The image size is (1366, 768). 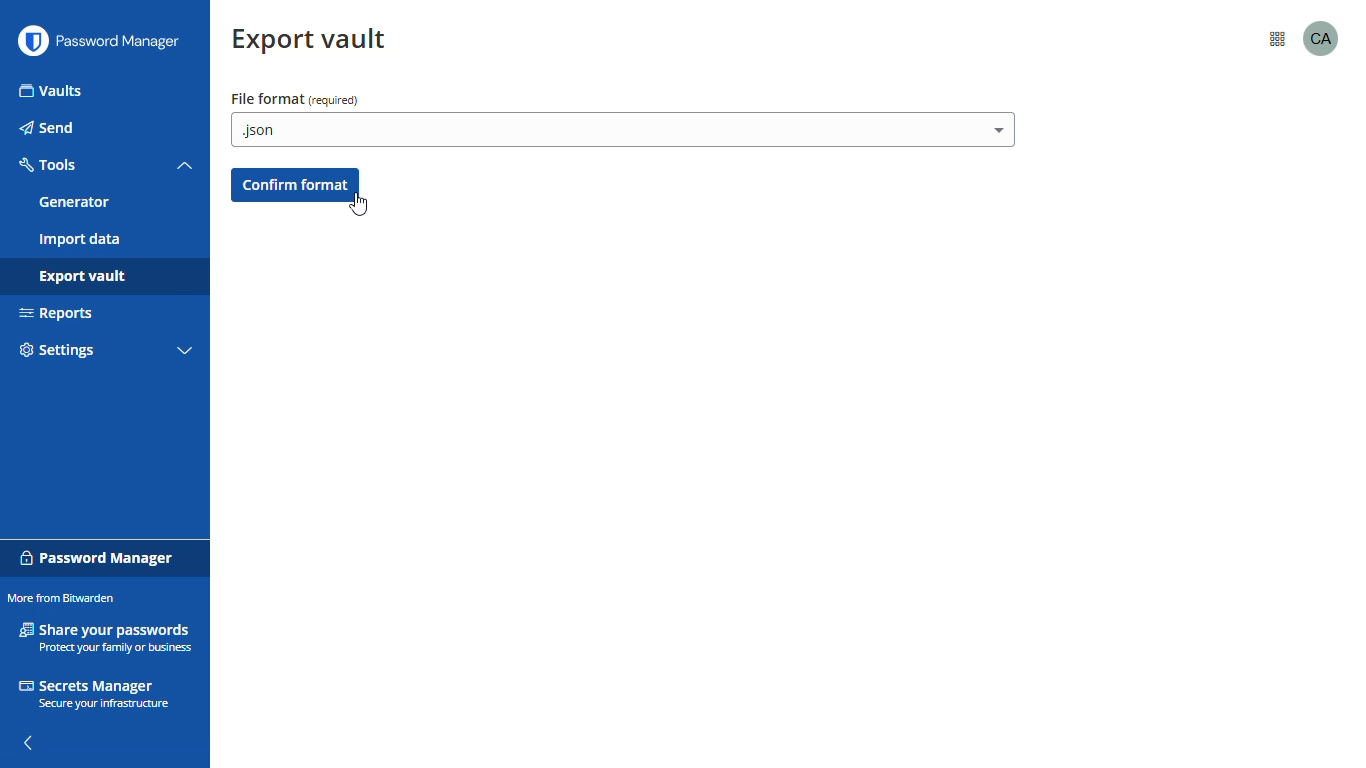 What do you see at coordinates (295, 183) in the screenshot?
I see `confirm format` at bounding box center [295, 183].